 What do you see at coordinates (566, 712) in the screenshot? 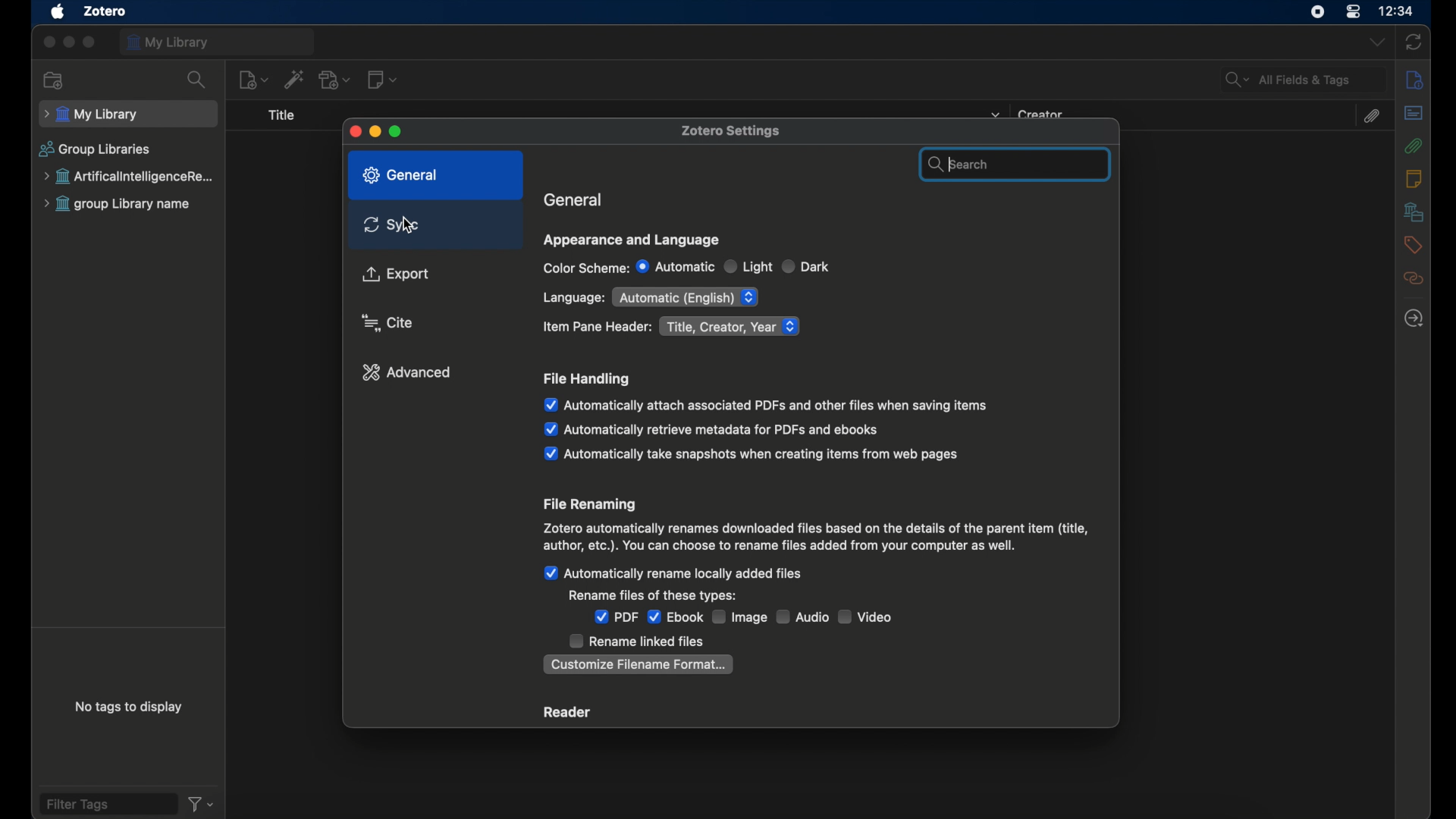
I see `reader` at bounding box center [566, 712].